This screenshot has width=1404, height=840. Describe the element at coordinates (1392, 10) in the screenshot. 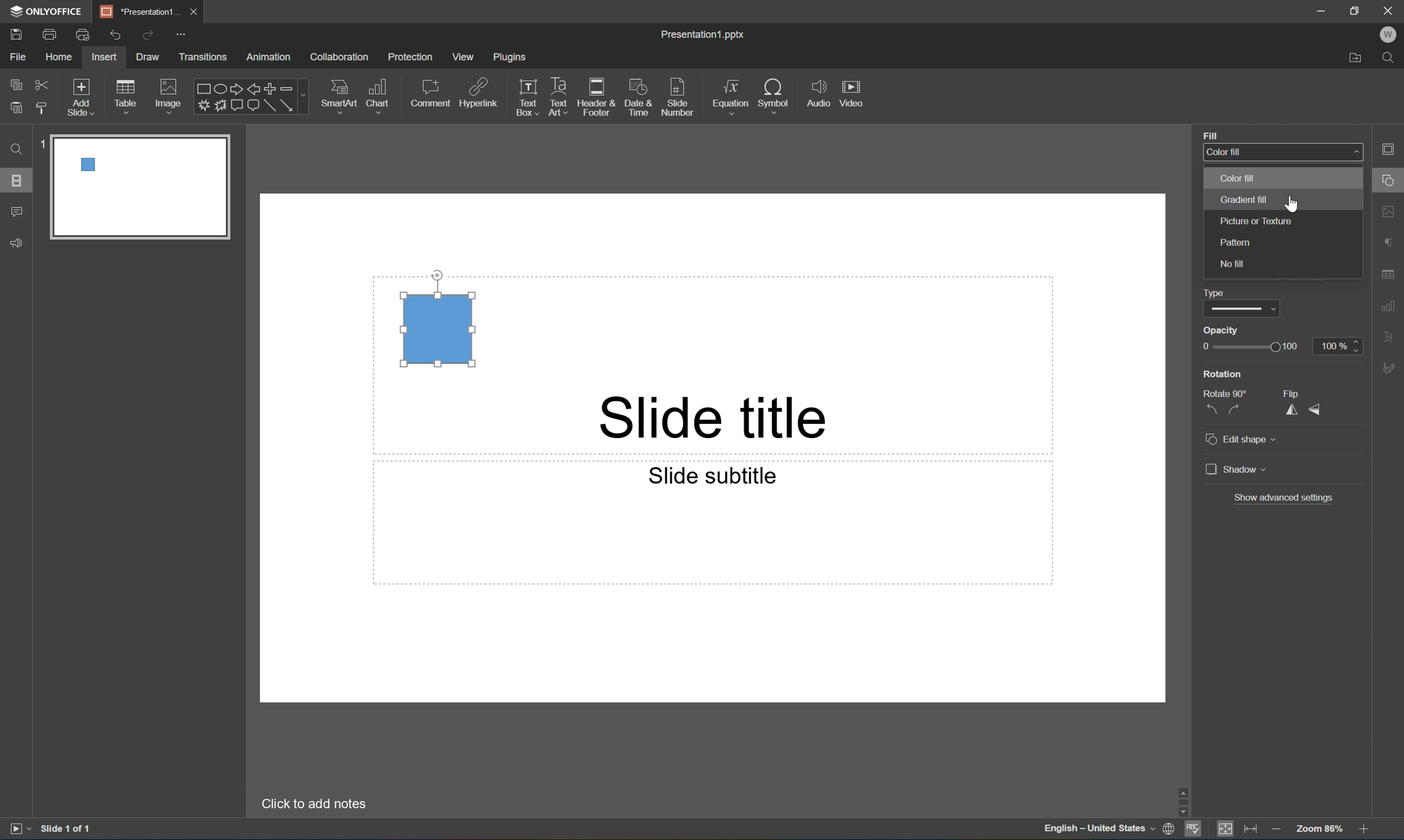

I see `Close` at that location.